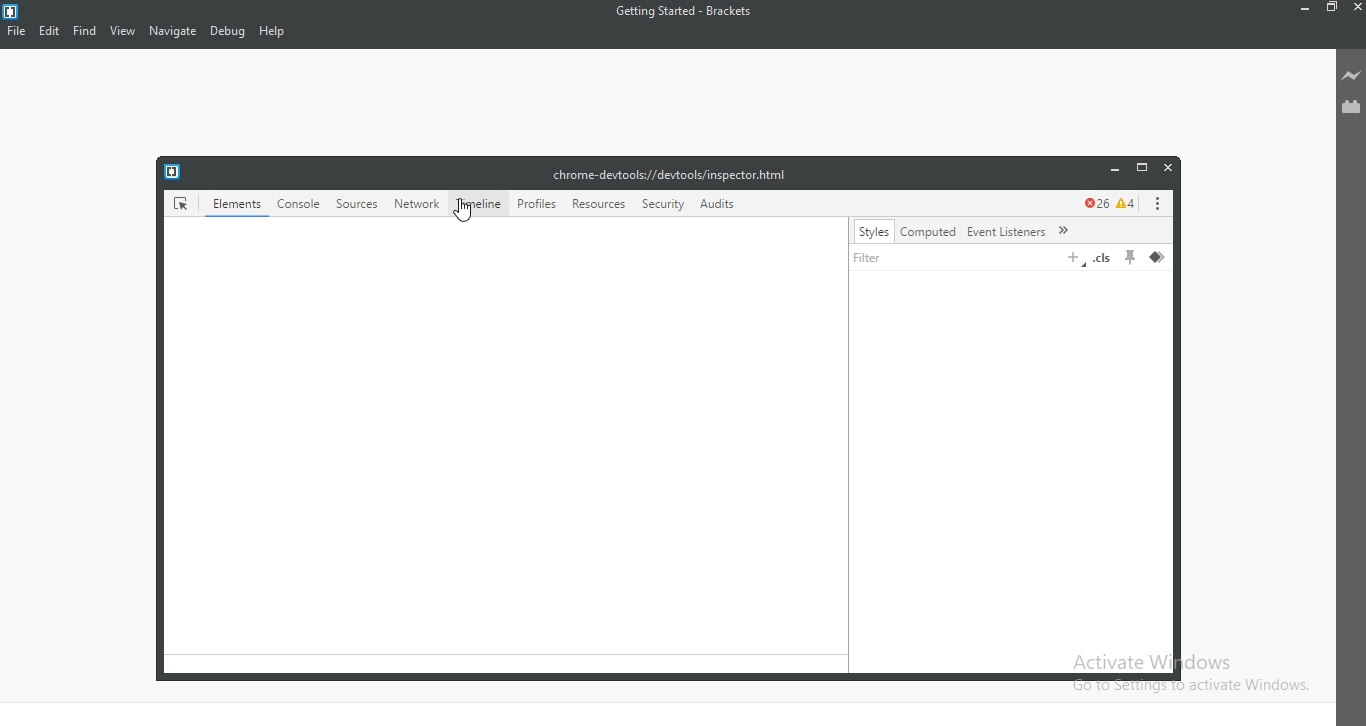 The image size is (1366, 726). Describe the element at coordinates (536, 203) in the screenshot. I see `profiles` at that location.